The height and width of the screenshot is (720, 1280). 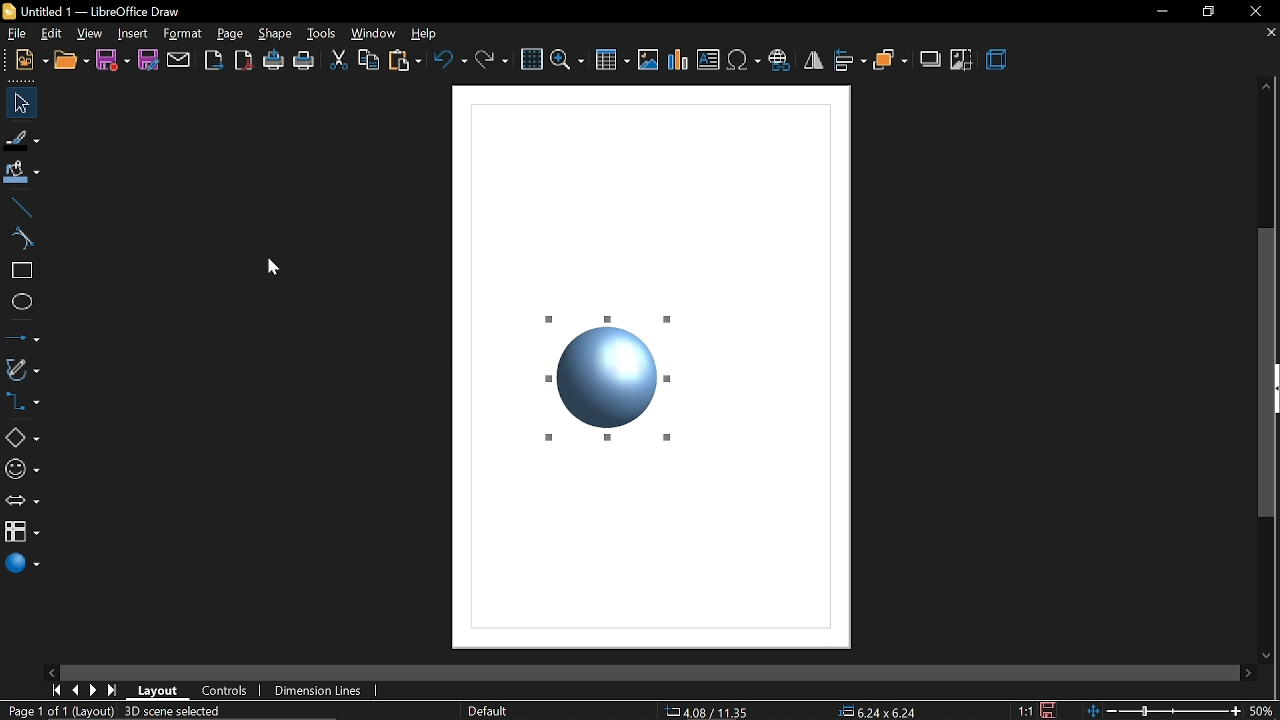 I want to click on 3d effects, so click(x=997, y=60).